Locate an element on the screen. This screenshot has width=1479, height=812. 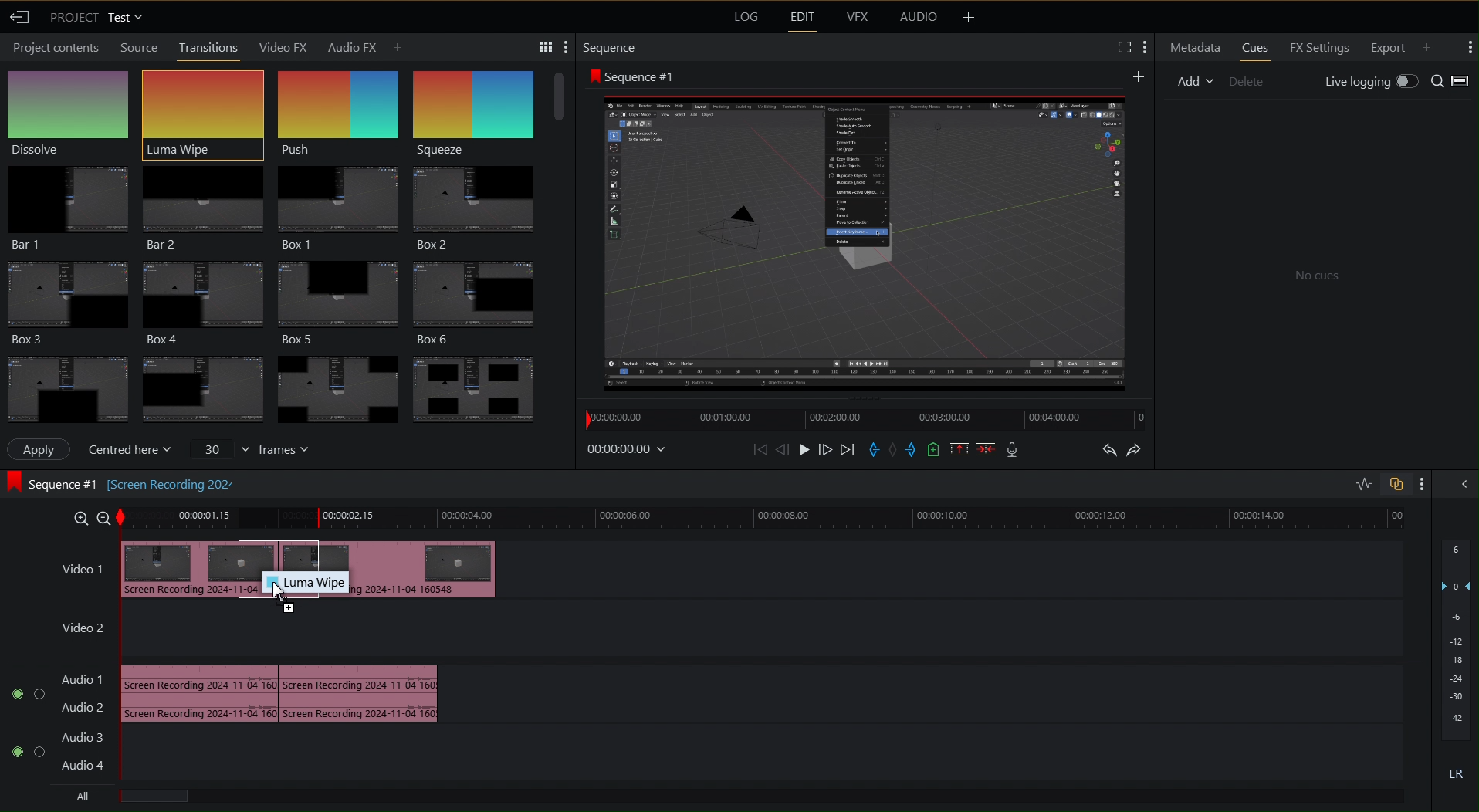
Video 2 is located at coordinates (83, 631).